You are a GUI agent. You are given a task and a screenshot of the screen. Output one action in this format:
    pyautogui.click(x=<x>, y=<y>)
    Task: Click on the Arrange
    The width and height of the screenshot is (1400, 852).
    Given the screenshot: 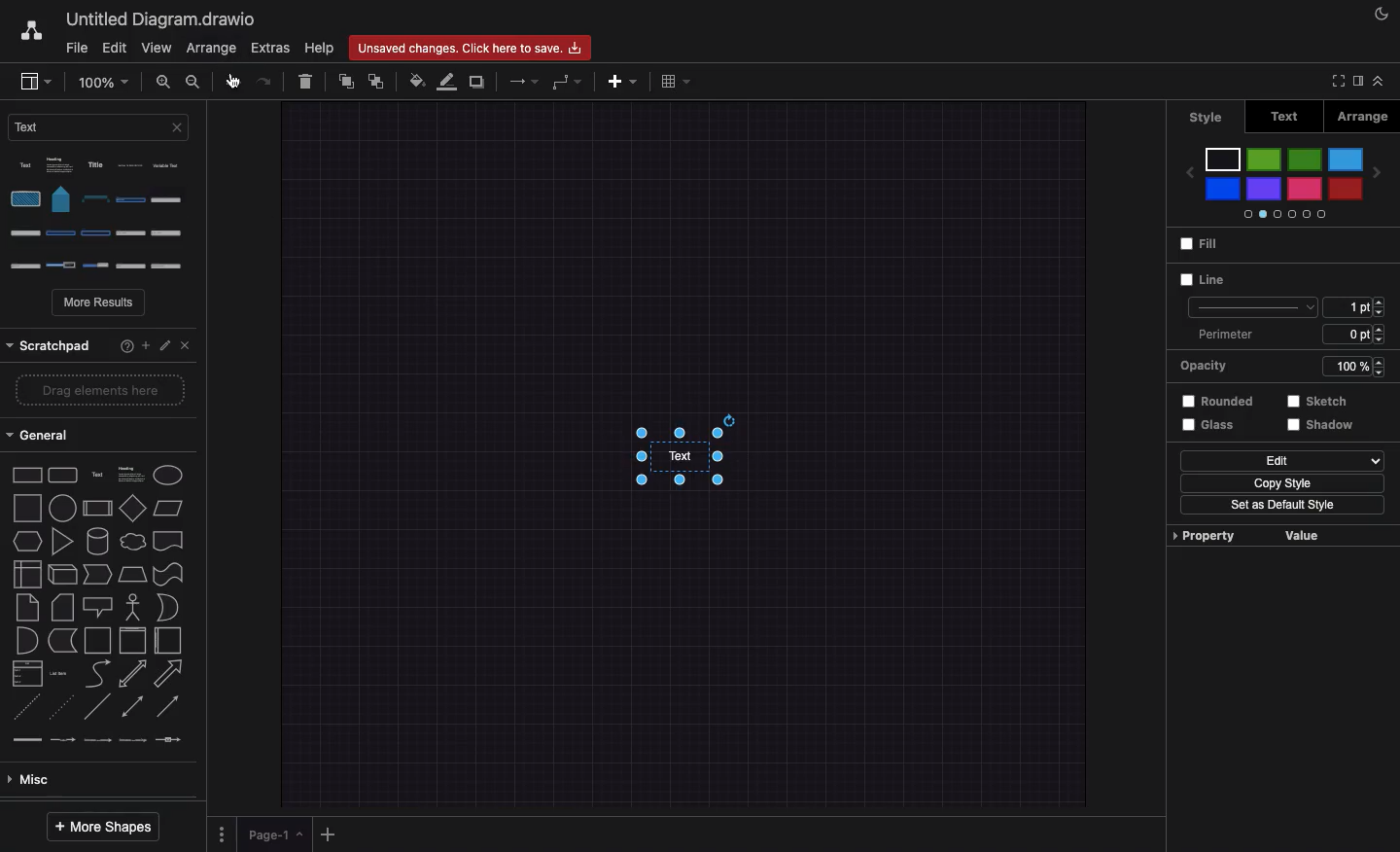 What is the action you would take?
    pyautogui.click(x=1359, y=117)
    